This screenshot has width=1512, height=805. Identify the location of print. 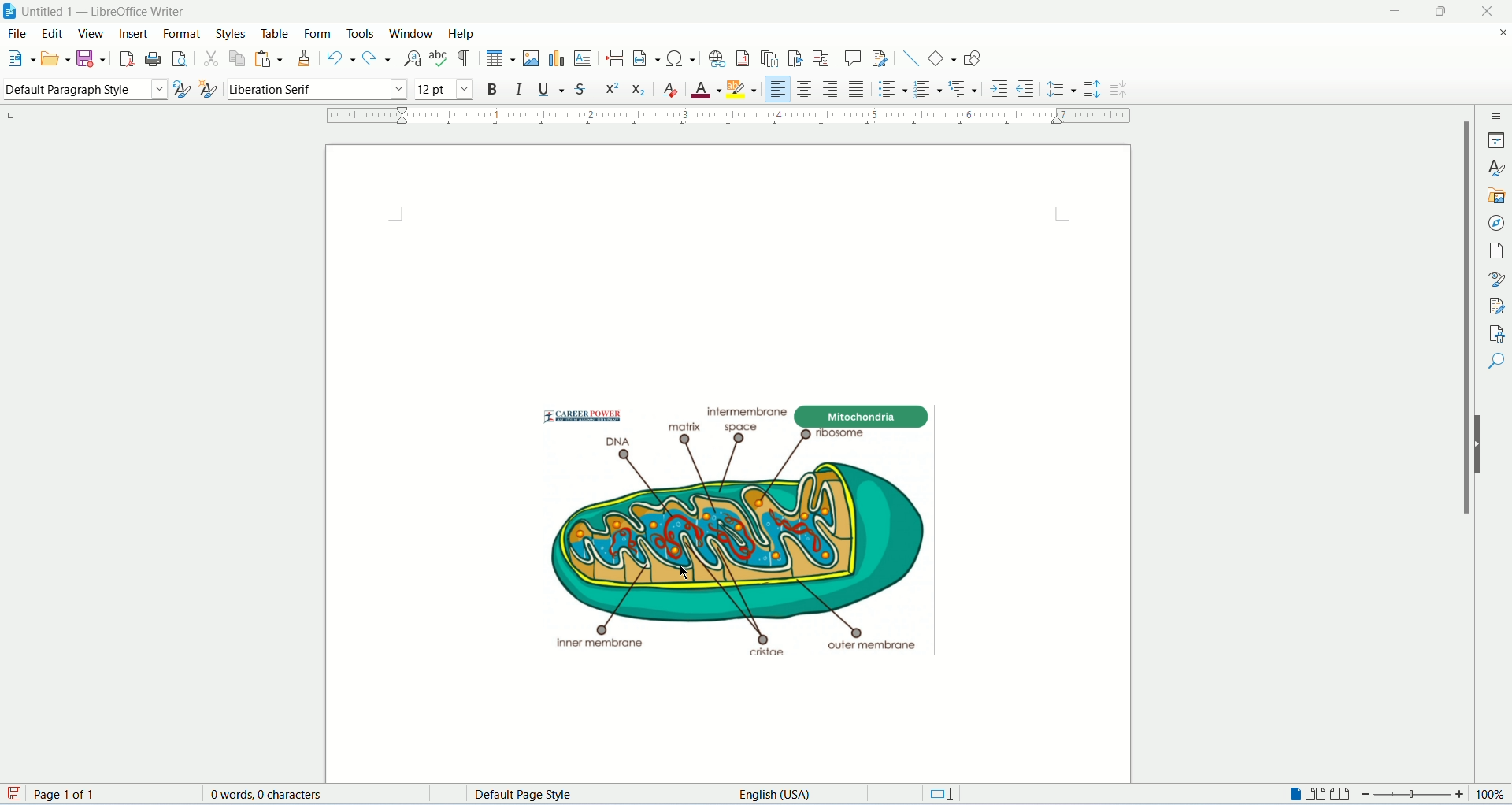
(153, 59).